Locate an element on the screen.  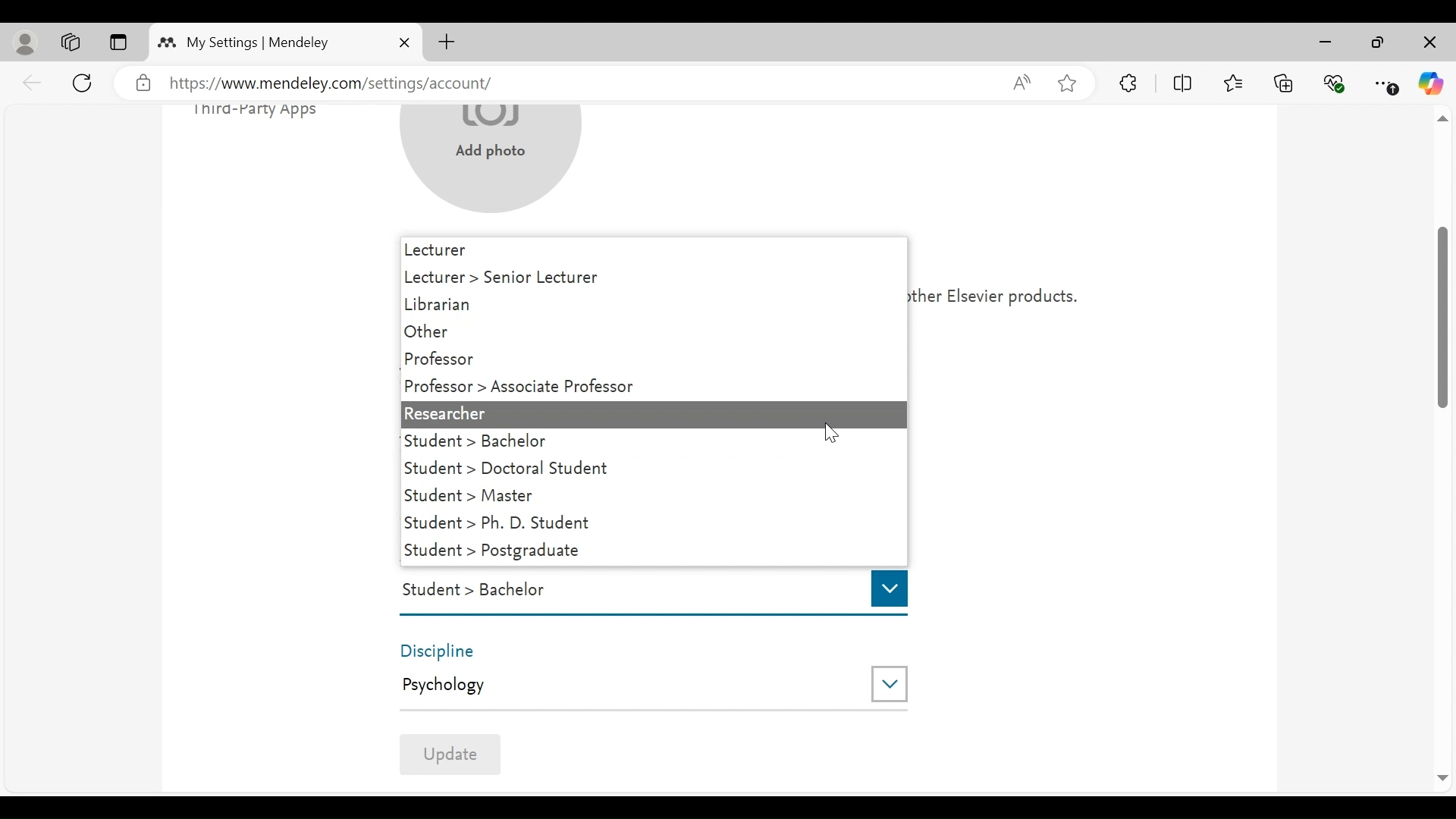
Student >Master is located at coordinates (651, 498).